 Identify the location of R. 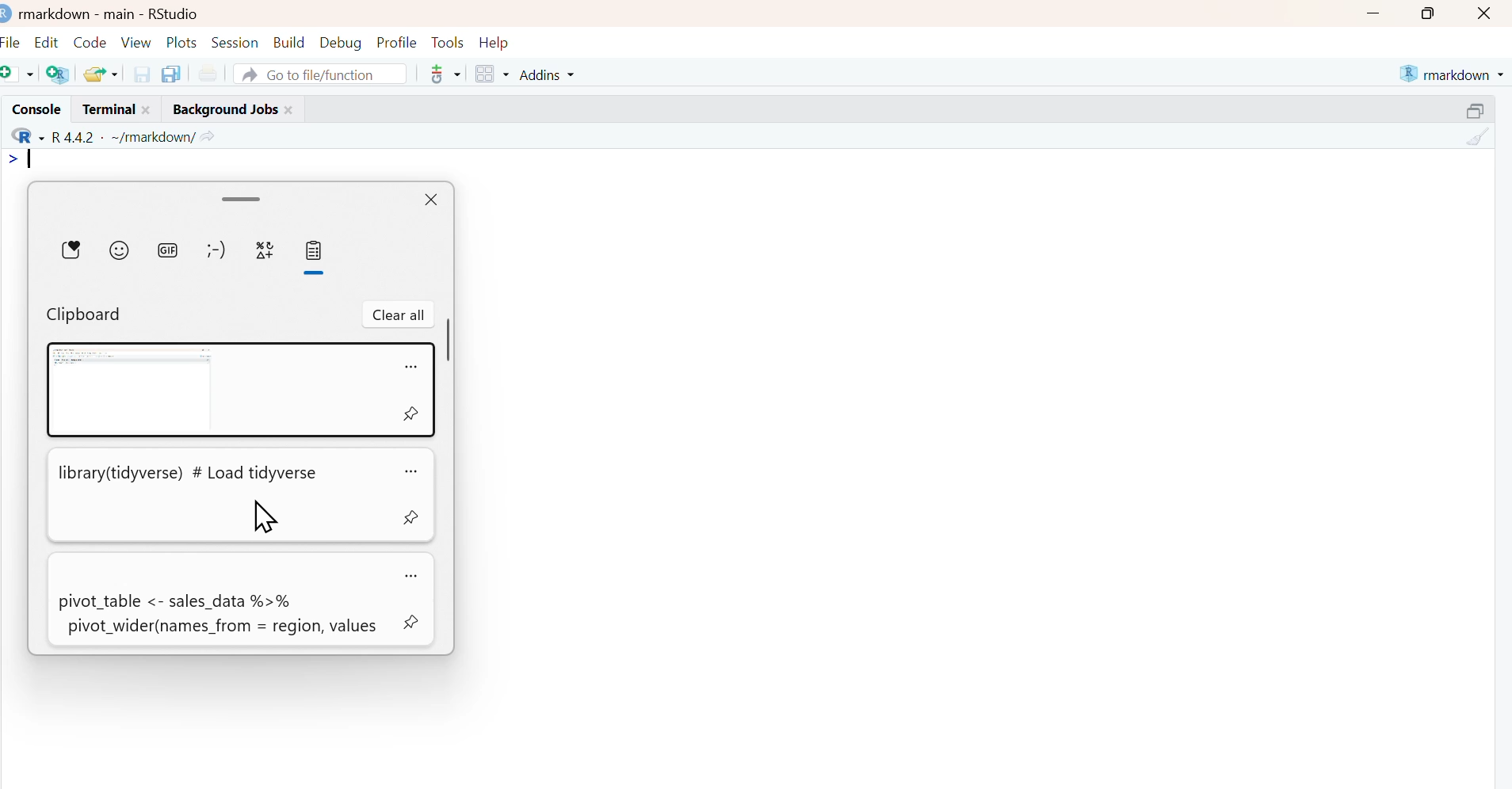
(25, 135).